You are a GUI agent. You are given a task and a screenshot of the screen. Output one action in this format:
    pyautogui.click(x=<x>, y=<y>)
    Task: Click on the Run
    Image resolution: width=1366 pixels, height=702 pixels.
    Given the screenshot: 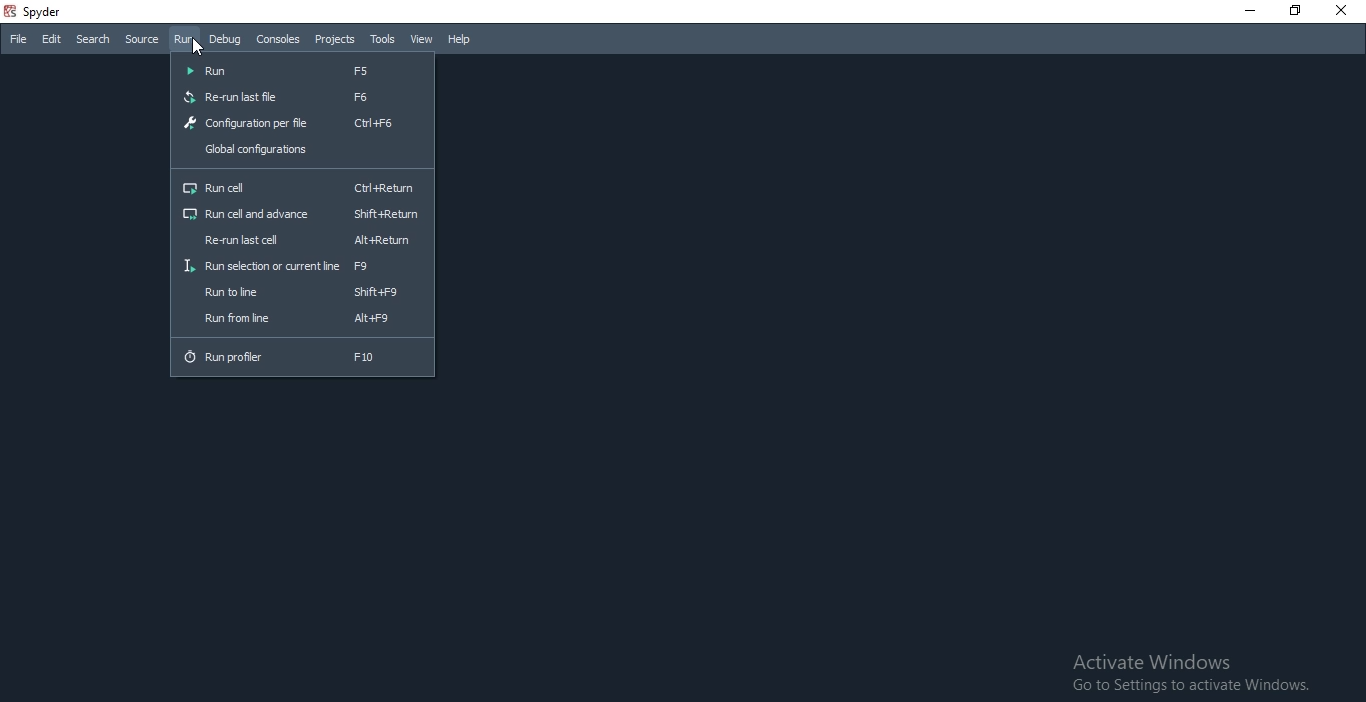 What is the action you would take?
    pyautogui.click(x=182, y=39)
    